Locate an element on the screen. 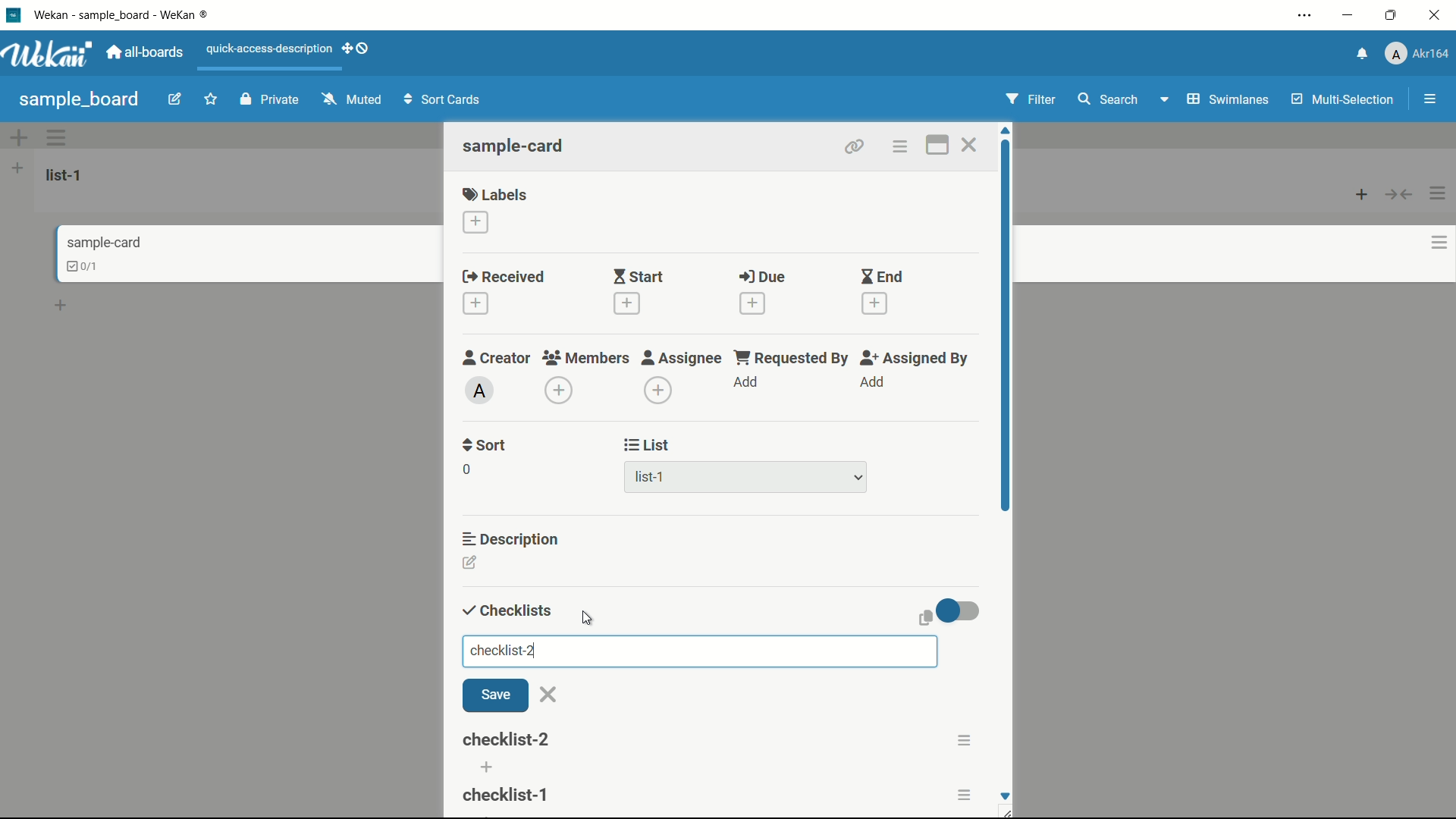 This screenshot has height=819, width=1456. filter is located at coordinates (1031, 100).